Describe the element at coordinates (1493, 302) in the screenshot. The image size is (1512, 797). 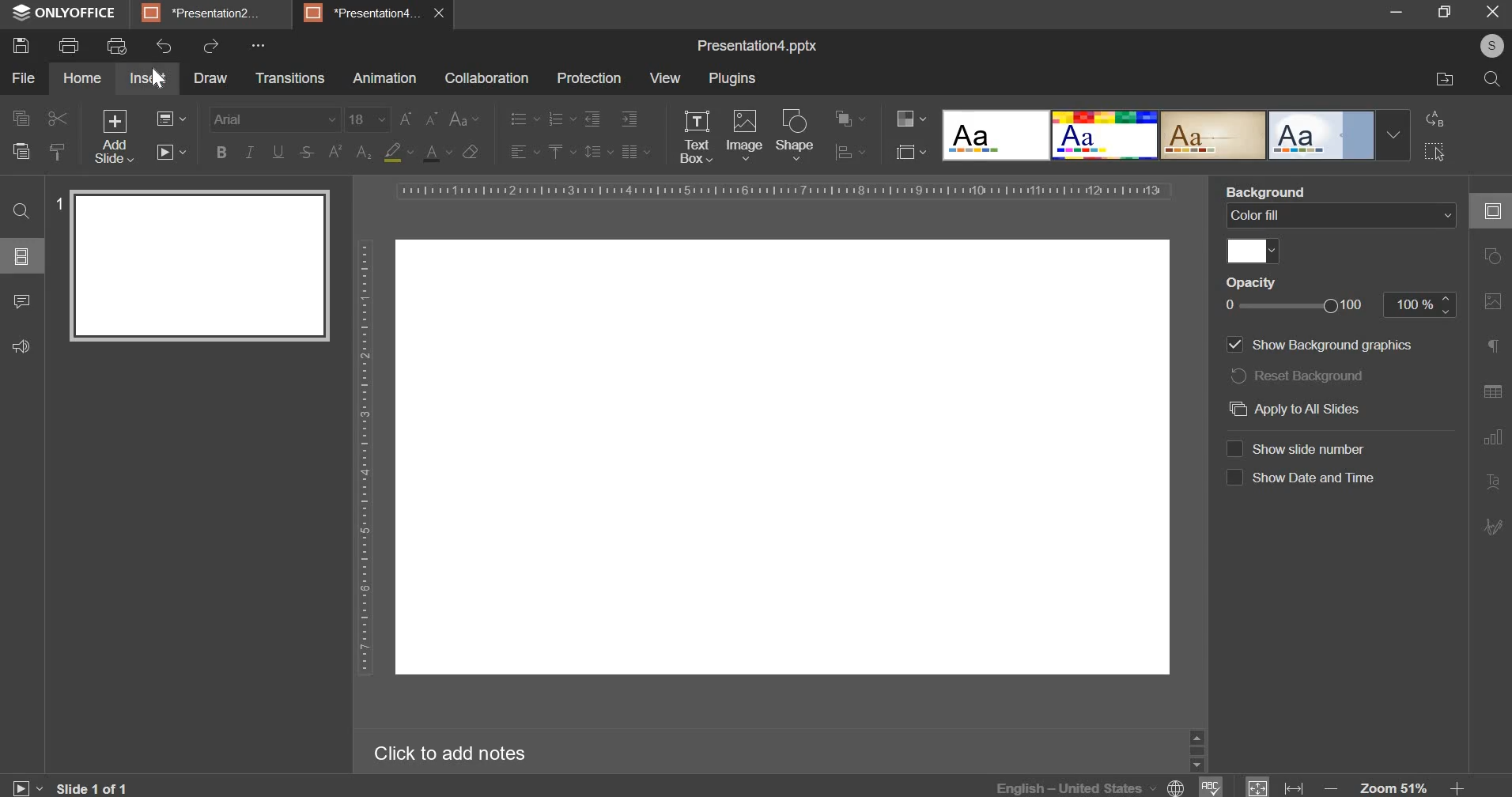
I see `image settings` at that location.